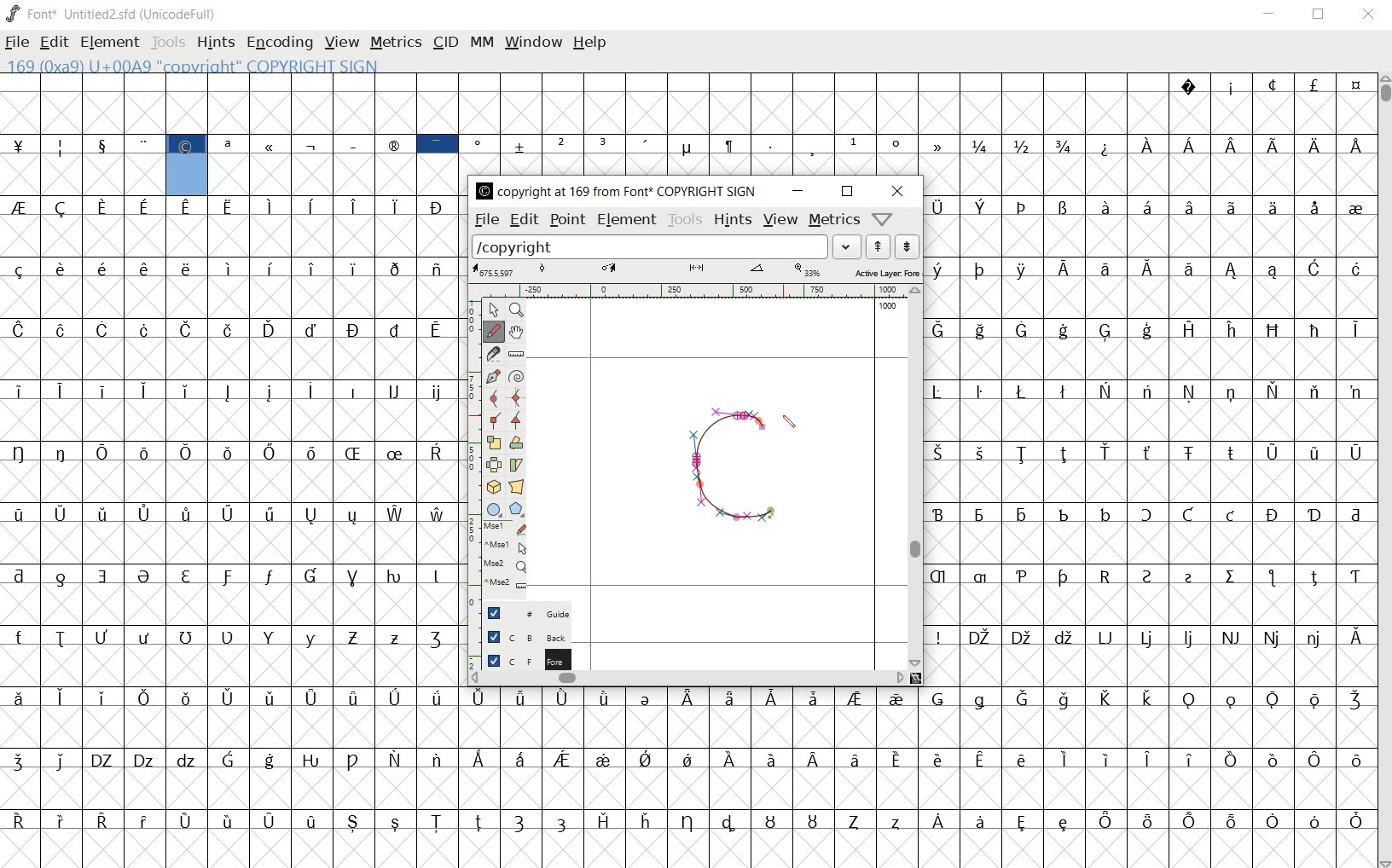 This screenshot has height=868, width=1392. What do you see at coordinates (502, 558) in the screenshot?
I see `mse1 mse1 mse2 mse2` at bounding box center [502, 558].